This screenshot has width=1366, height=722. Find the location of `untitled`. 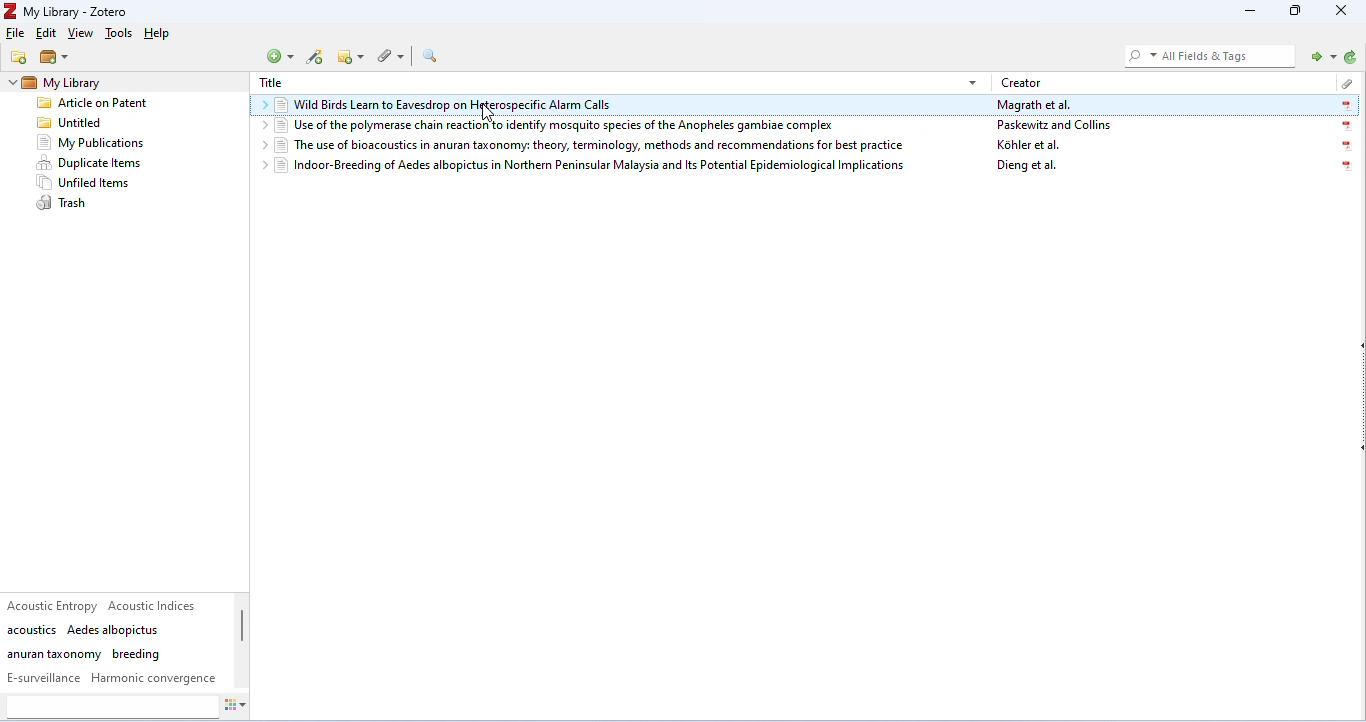

untitled is located at coordinates (70, 124).